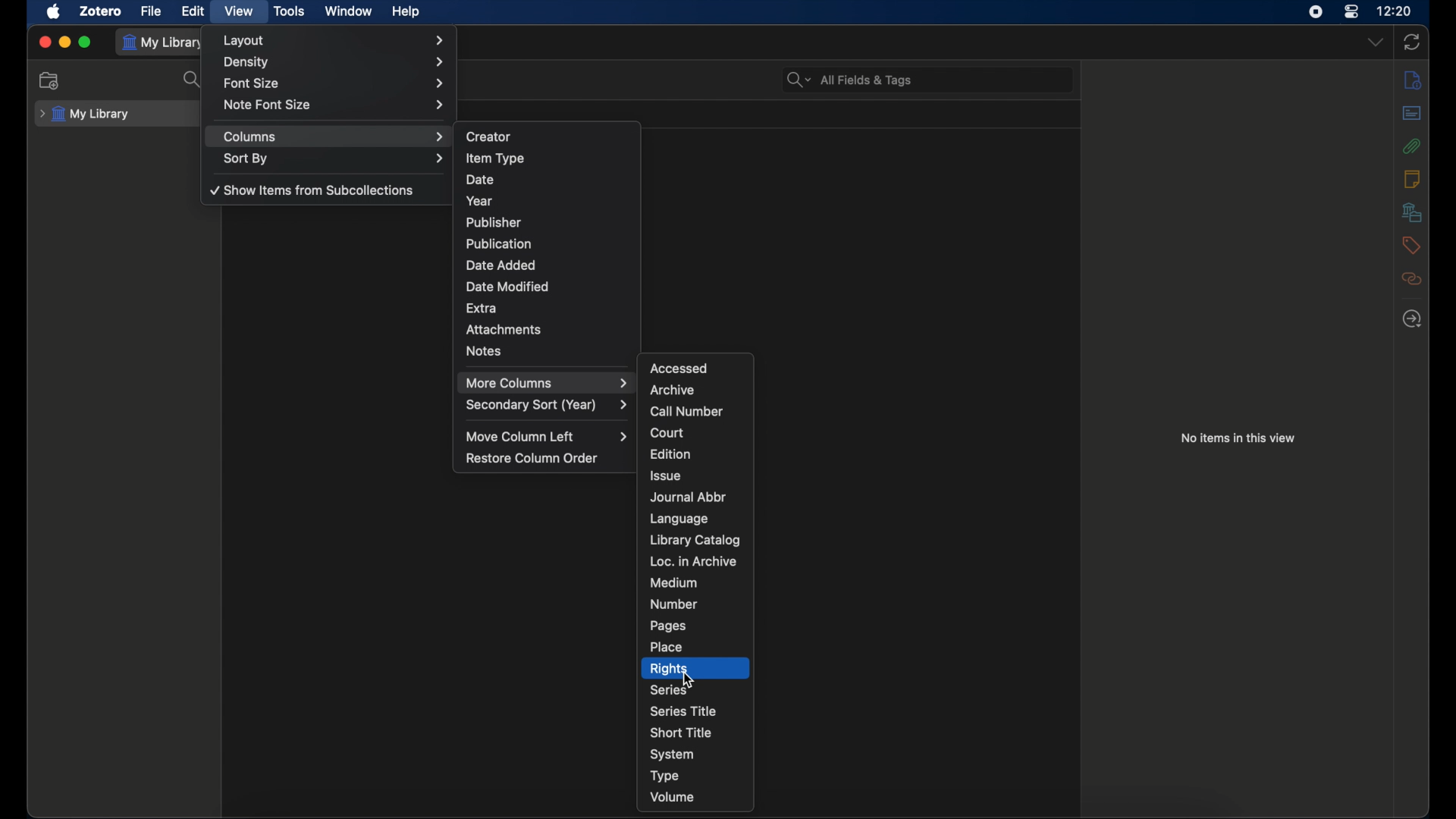 Image resolution: width=1456 pixels, height=819 pixels. I want to click on type, so click(665, 777).